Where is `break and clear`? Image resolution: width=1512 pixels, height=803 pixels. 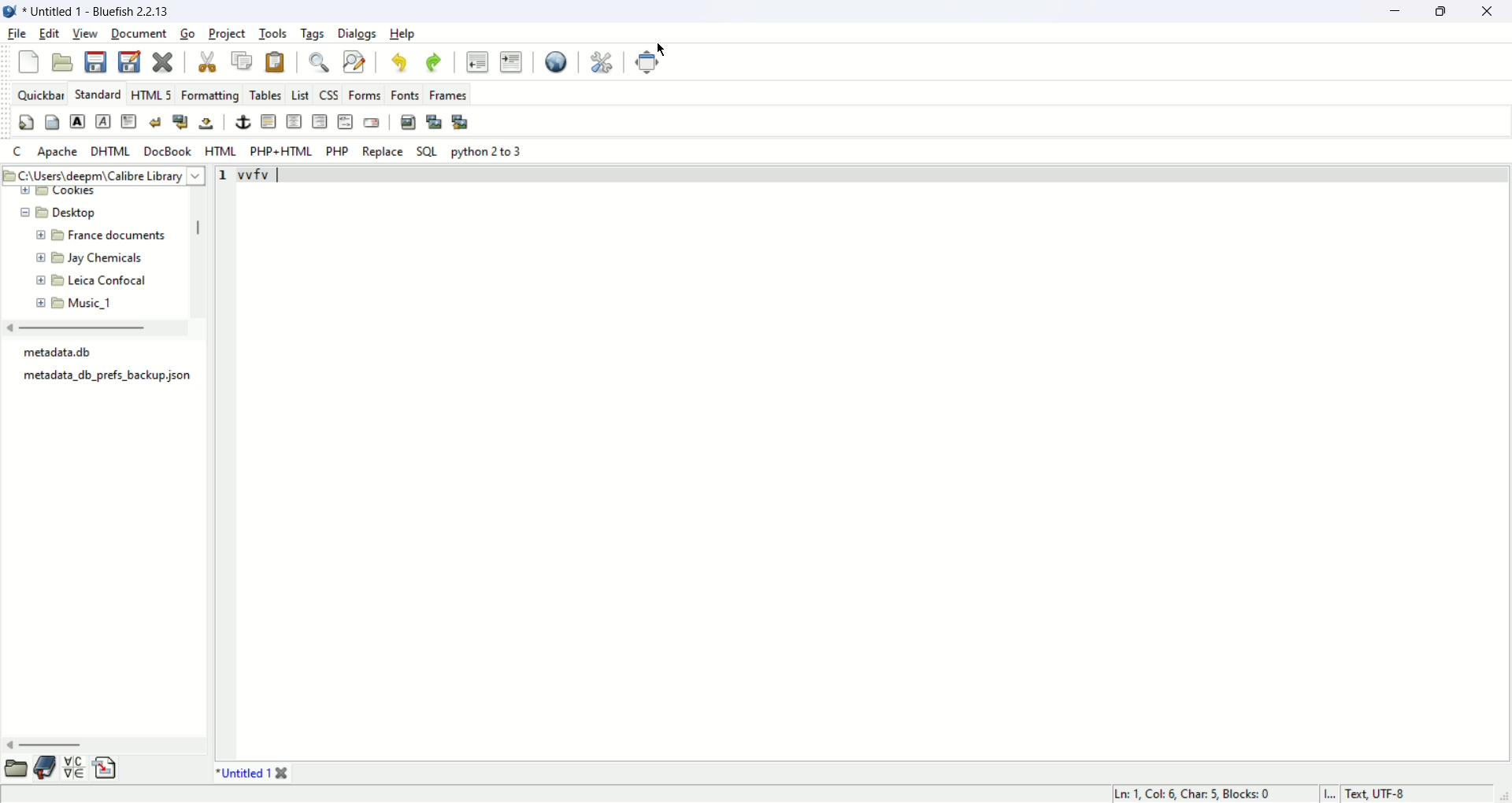 break and clear is located at coordinates (179, 122).